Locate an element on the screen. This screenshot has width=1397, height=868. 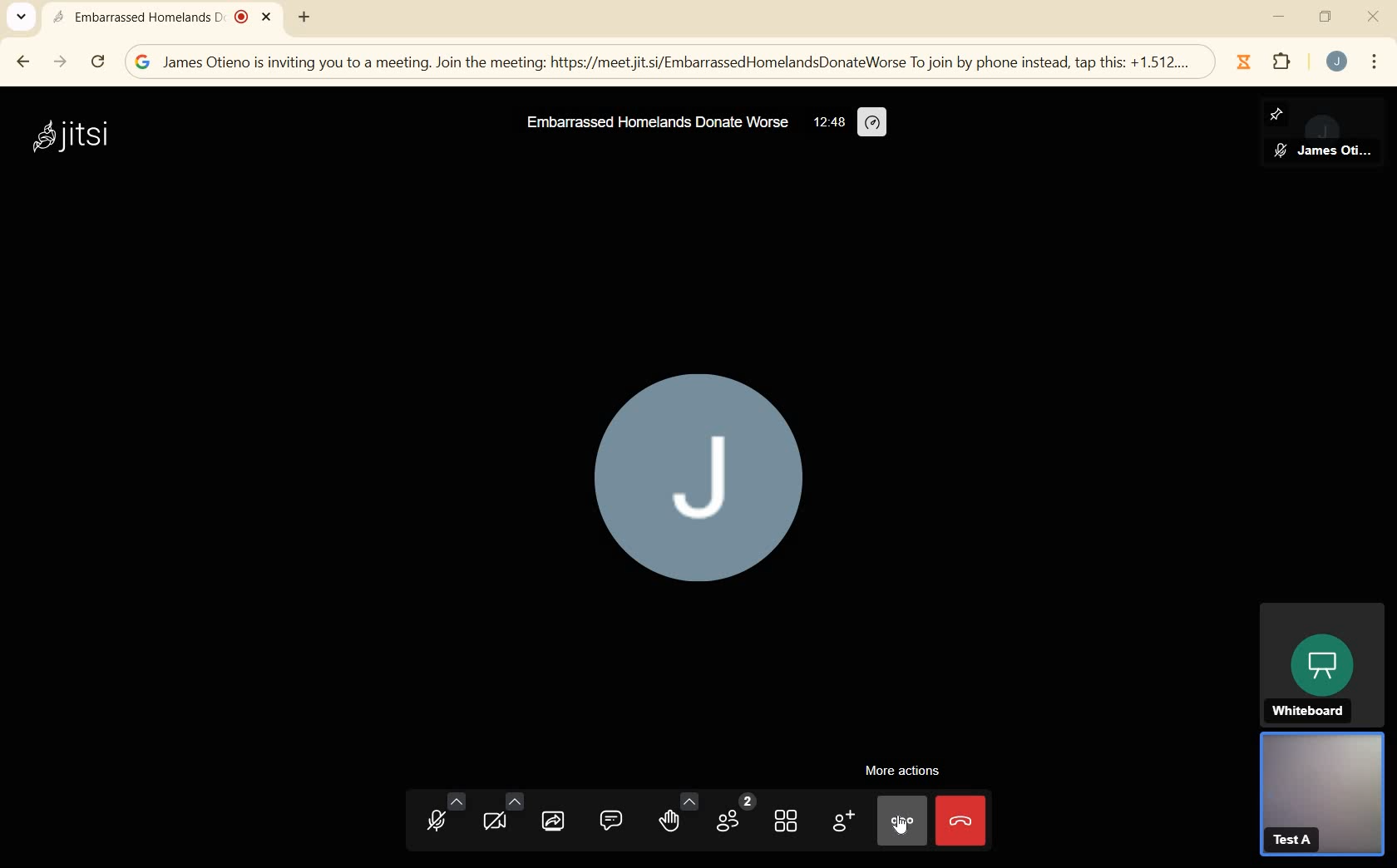
close is located at coordinates (1373, 16).